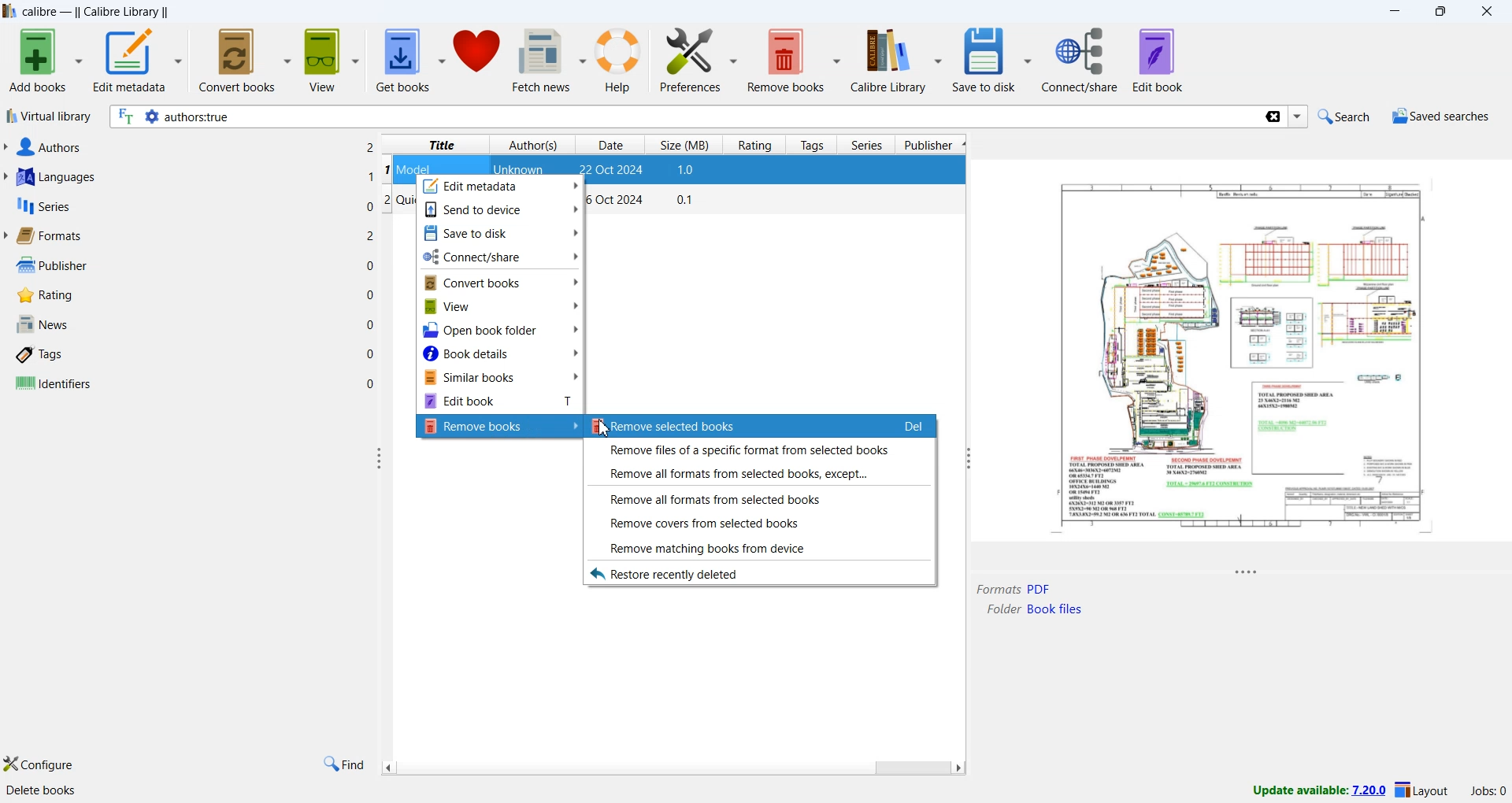 The width and height of the screenshot is (1512, 803). I want to click on customize width, so click(965, 458).